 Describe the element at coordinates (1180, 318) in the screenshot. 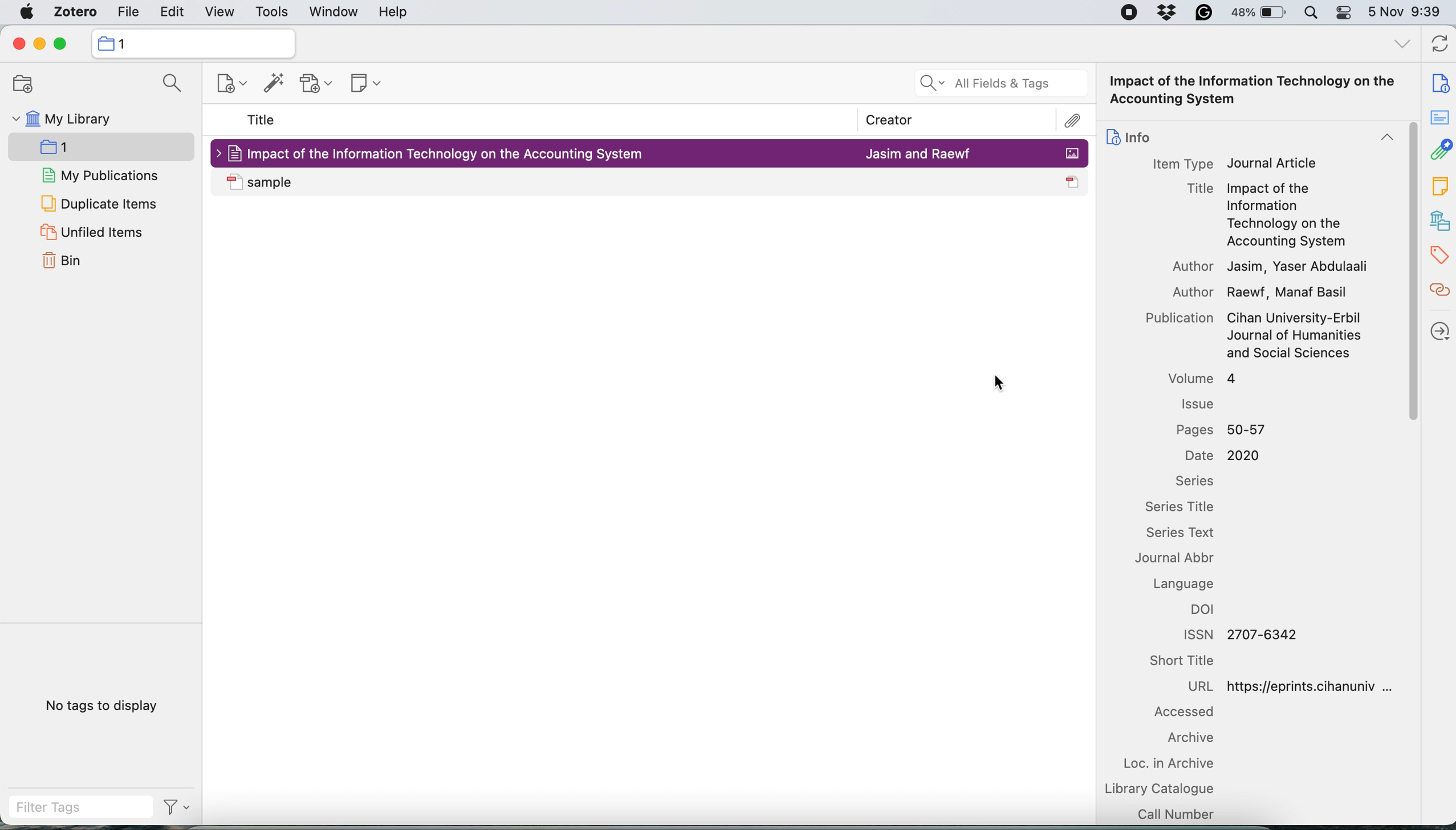

I see `Publication` at that location.